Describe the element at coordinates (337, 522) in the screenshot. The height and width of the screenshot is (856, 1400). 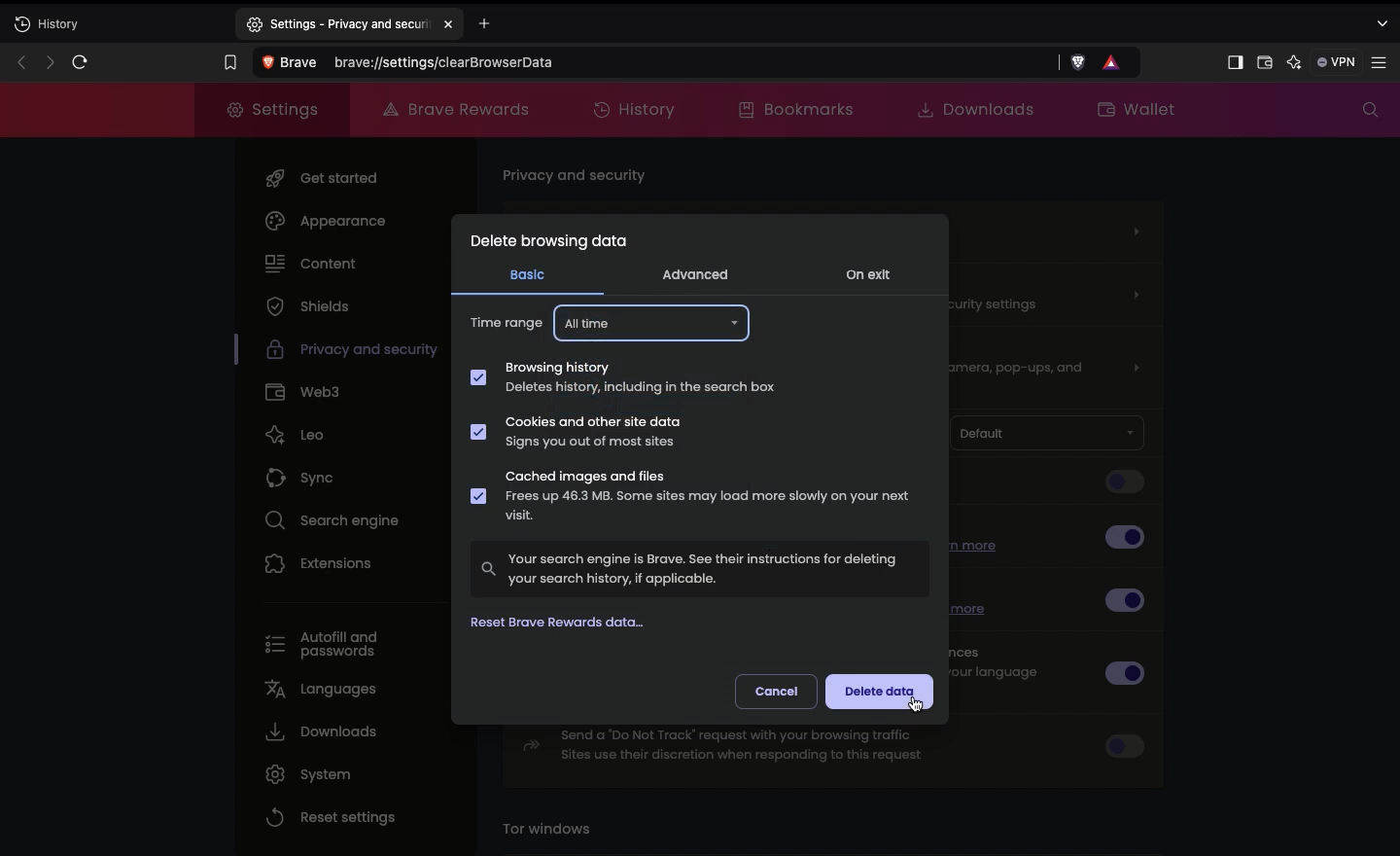
I see `Search engine` at that location.